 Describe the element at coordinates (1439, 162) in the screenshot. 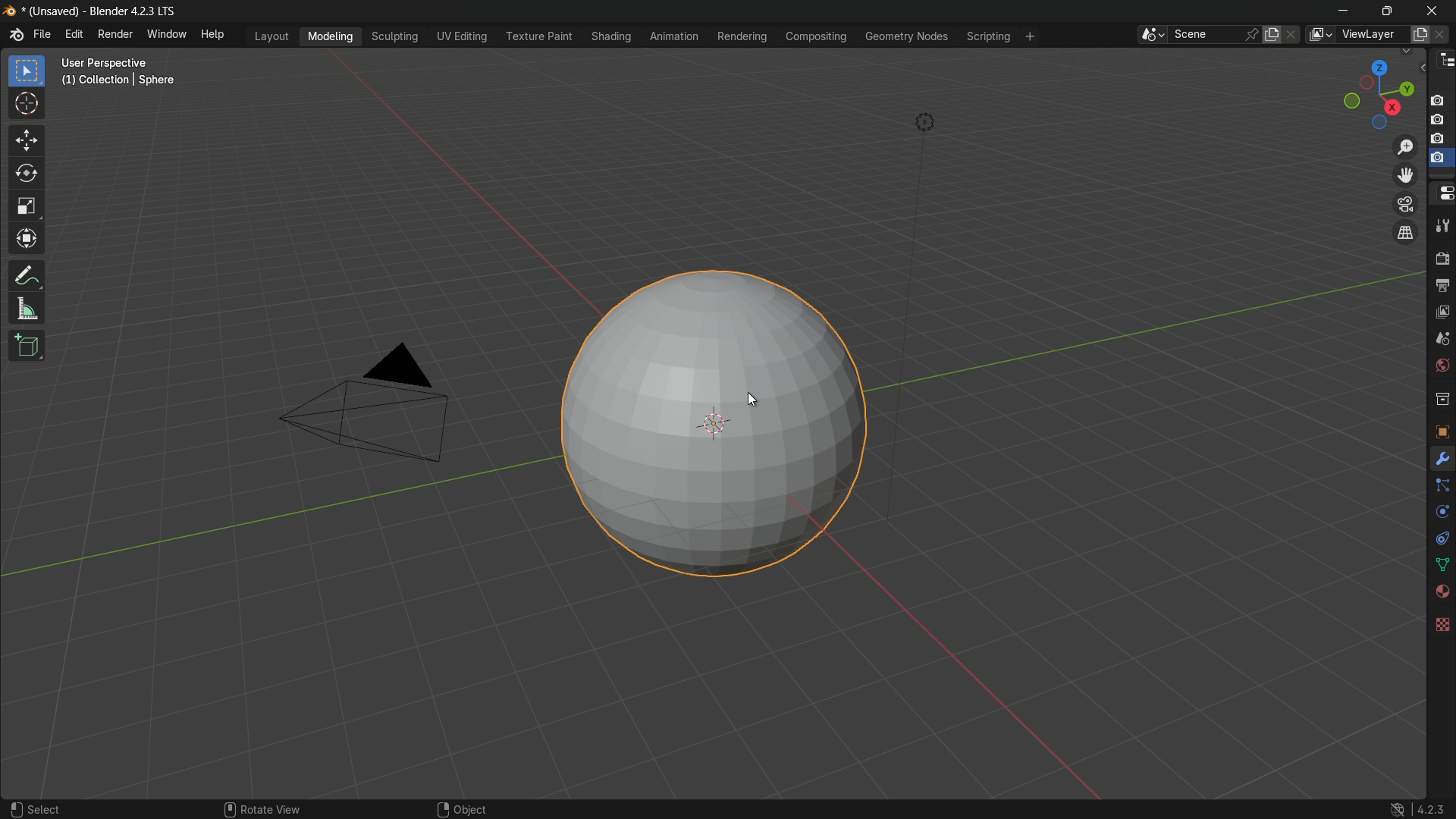

I see `selected capture` at that location.